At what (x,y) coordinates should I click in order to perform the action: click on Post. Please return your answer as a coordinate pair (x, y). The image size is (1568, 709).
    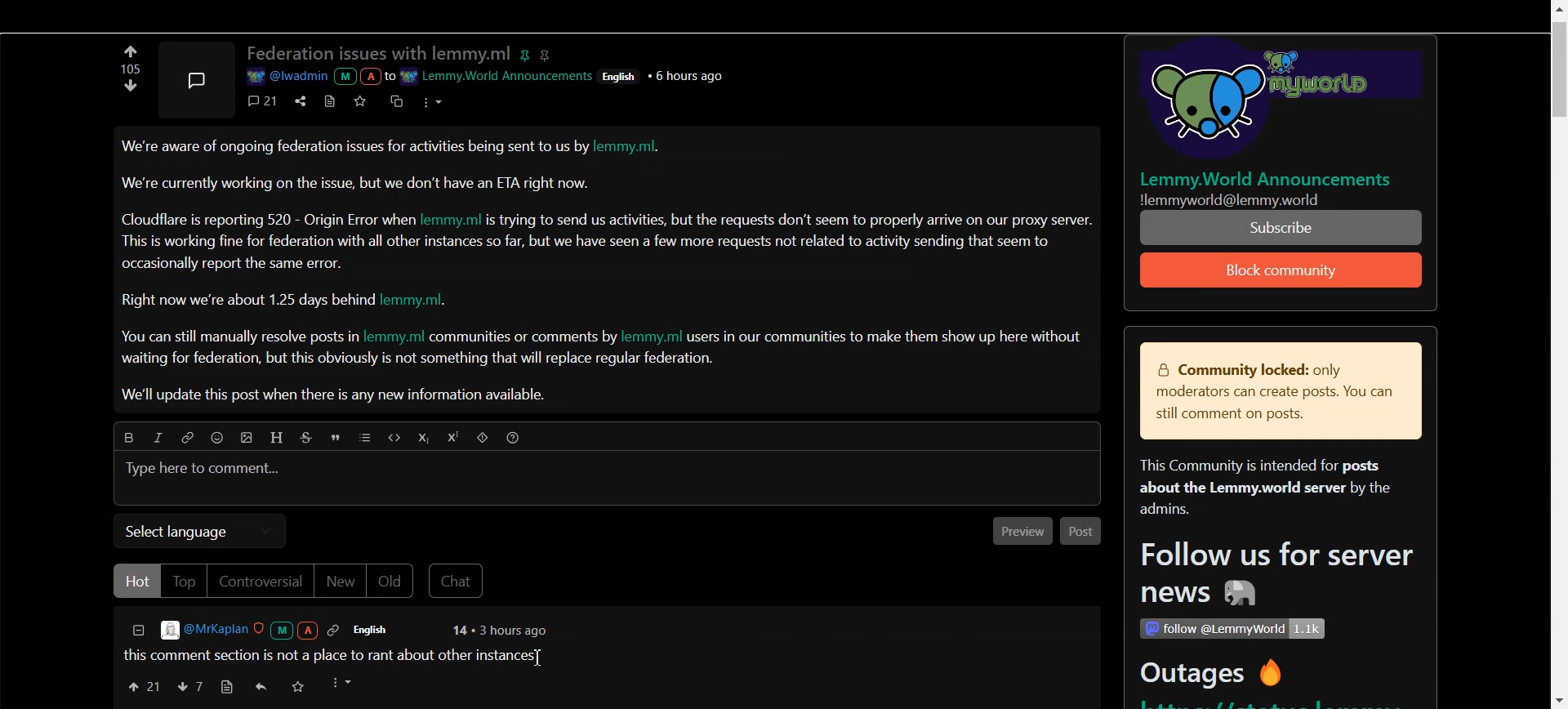
    Looking at the image, I should click on (1081, 532).